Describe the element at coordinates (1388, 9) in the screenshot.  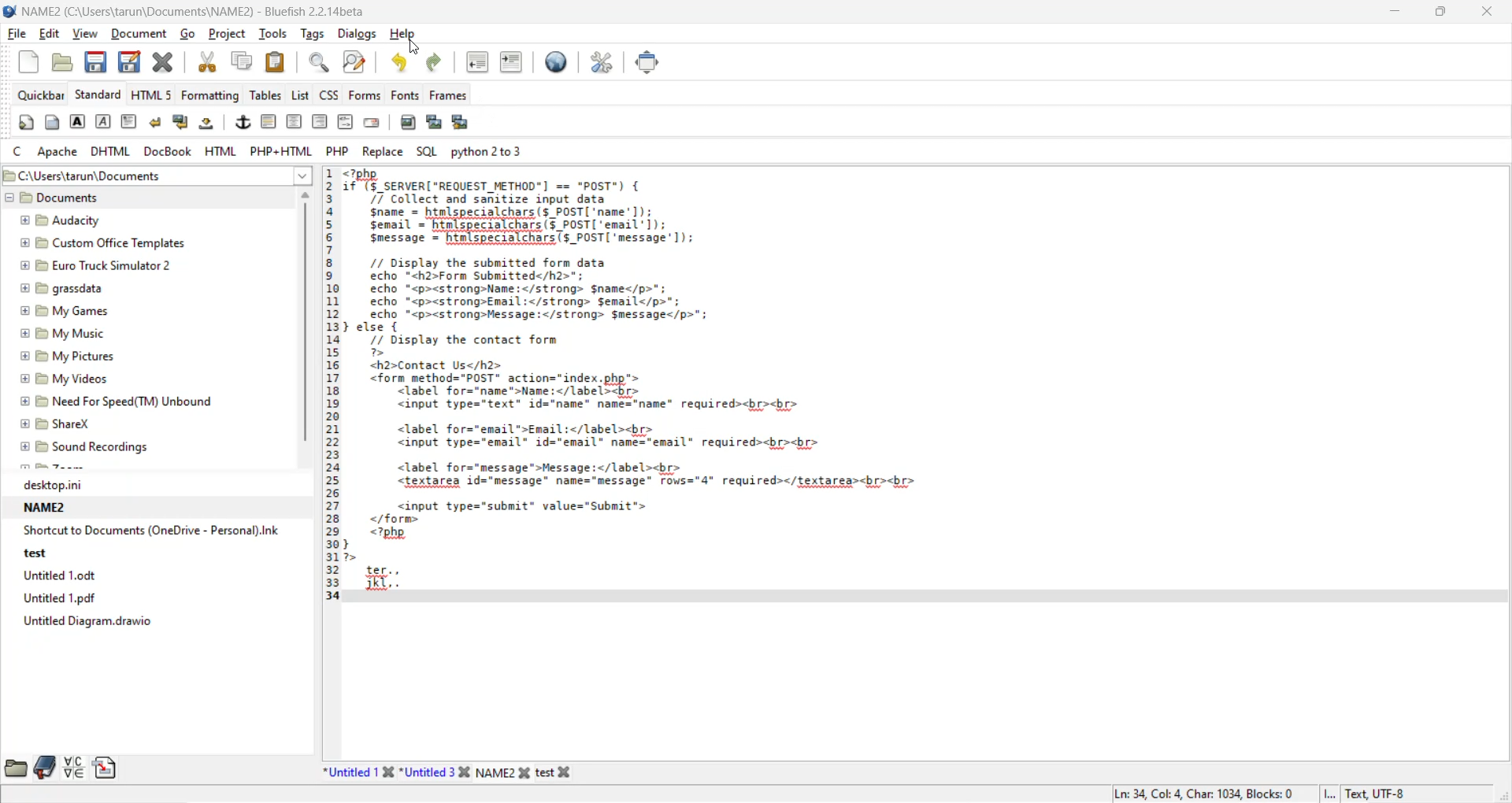
I see `minimize` at that location.